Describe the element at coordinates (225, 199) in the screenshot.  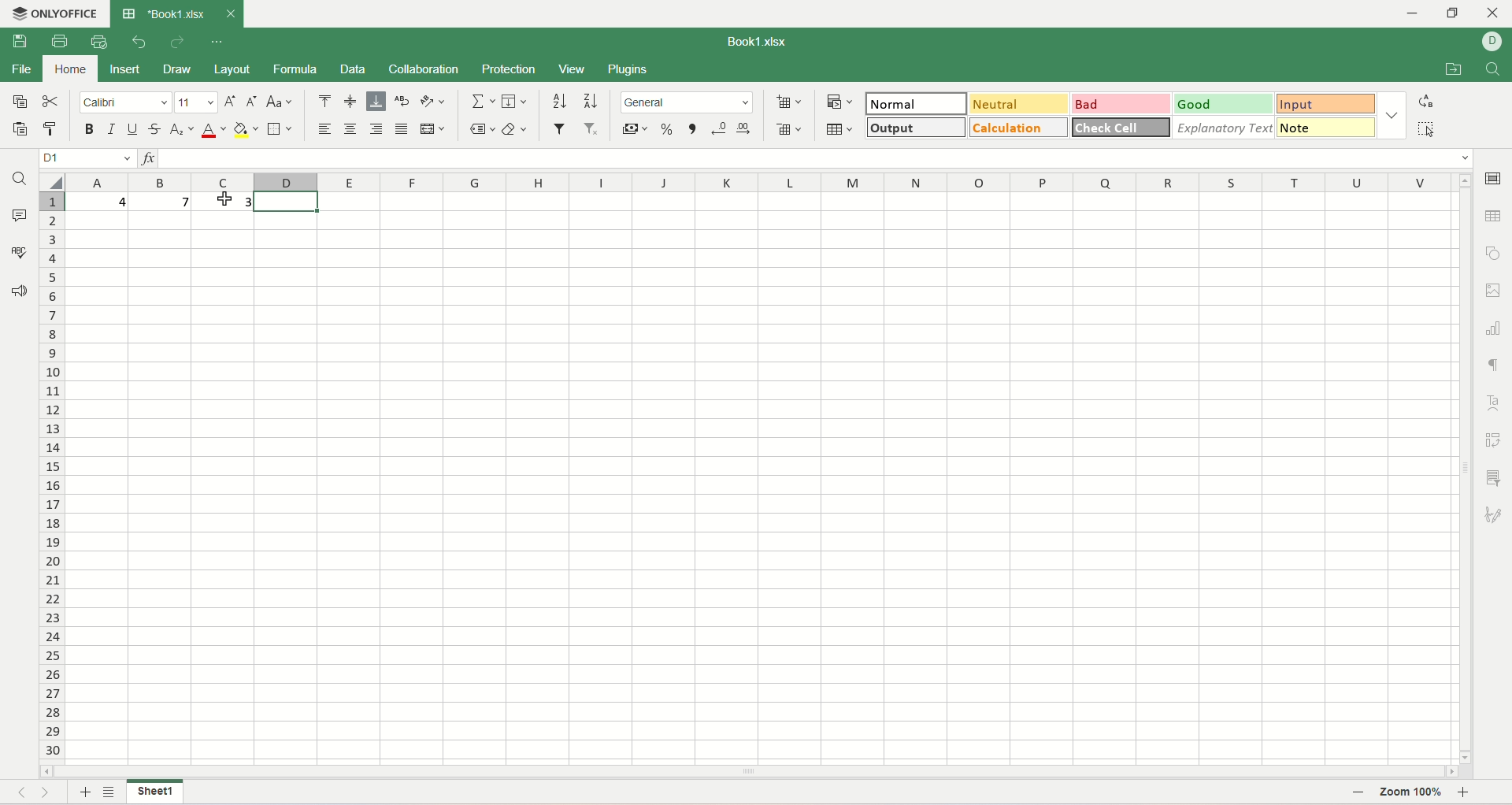
I see `cursor` at that location.